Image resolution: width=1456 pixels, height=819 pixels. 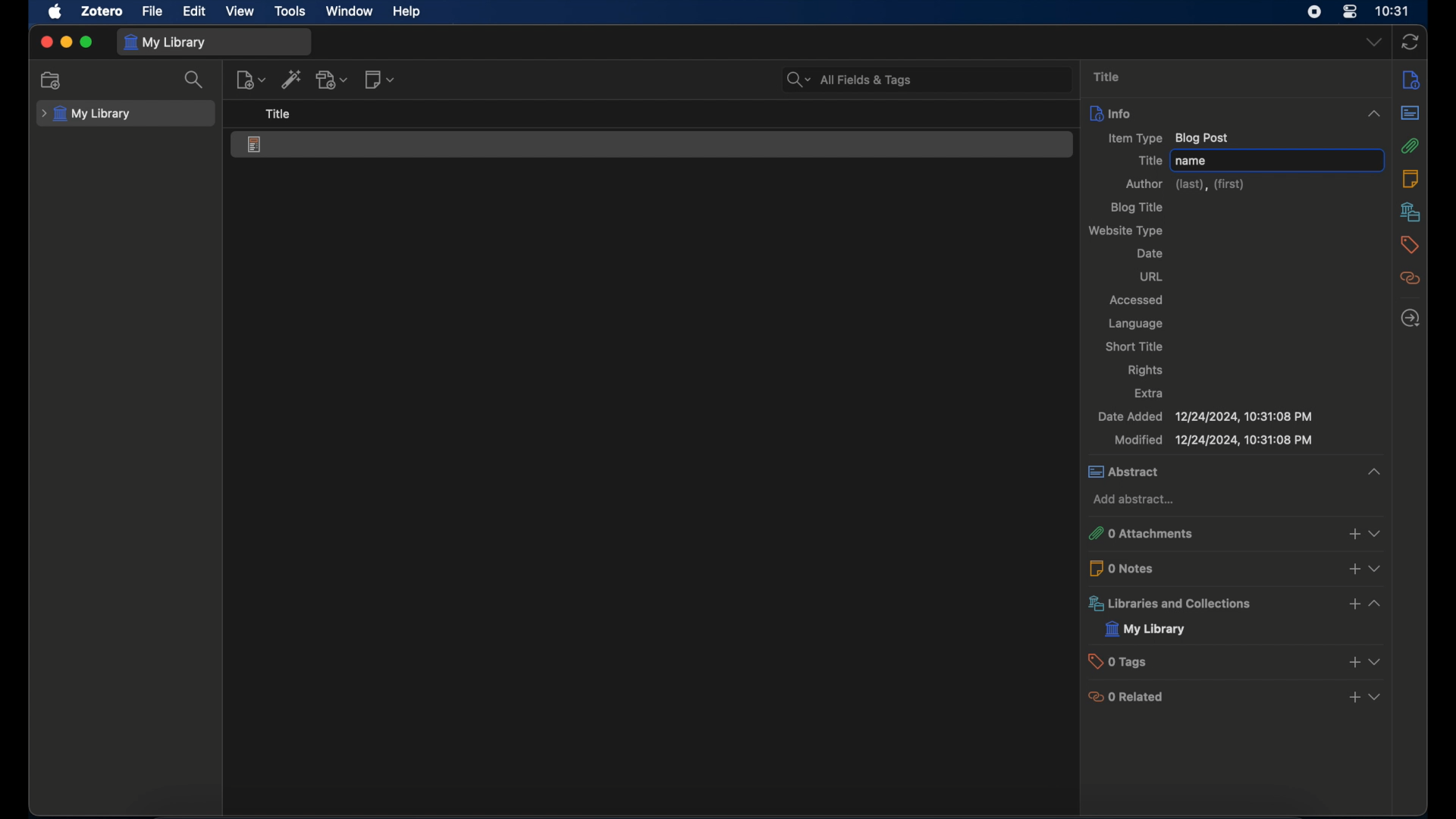 What do you see at coordinates (1410, 113) in the screenshot?
I see `abstract` at bounding box center [1410, 113].